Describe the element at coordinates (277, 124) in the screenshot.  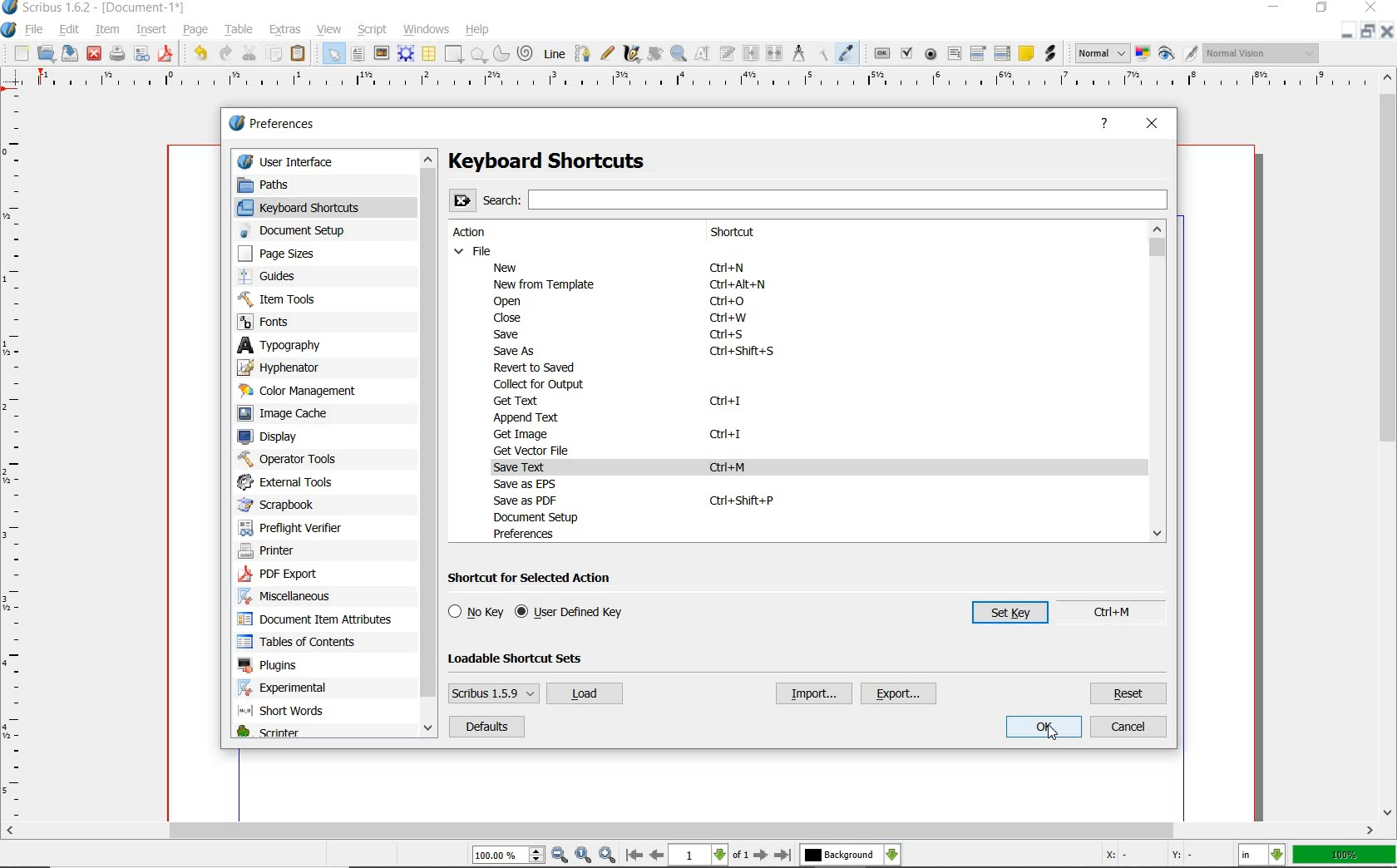
I see `preferences` at that location.